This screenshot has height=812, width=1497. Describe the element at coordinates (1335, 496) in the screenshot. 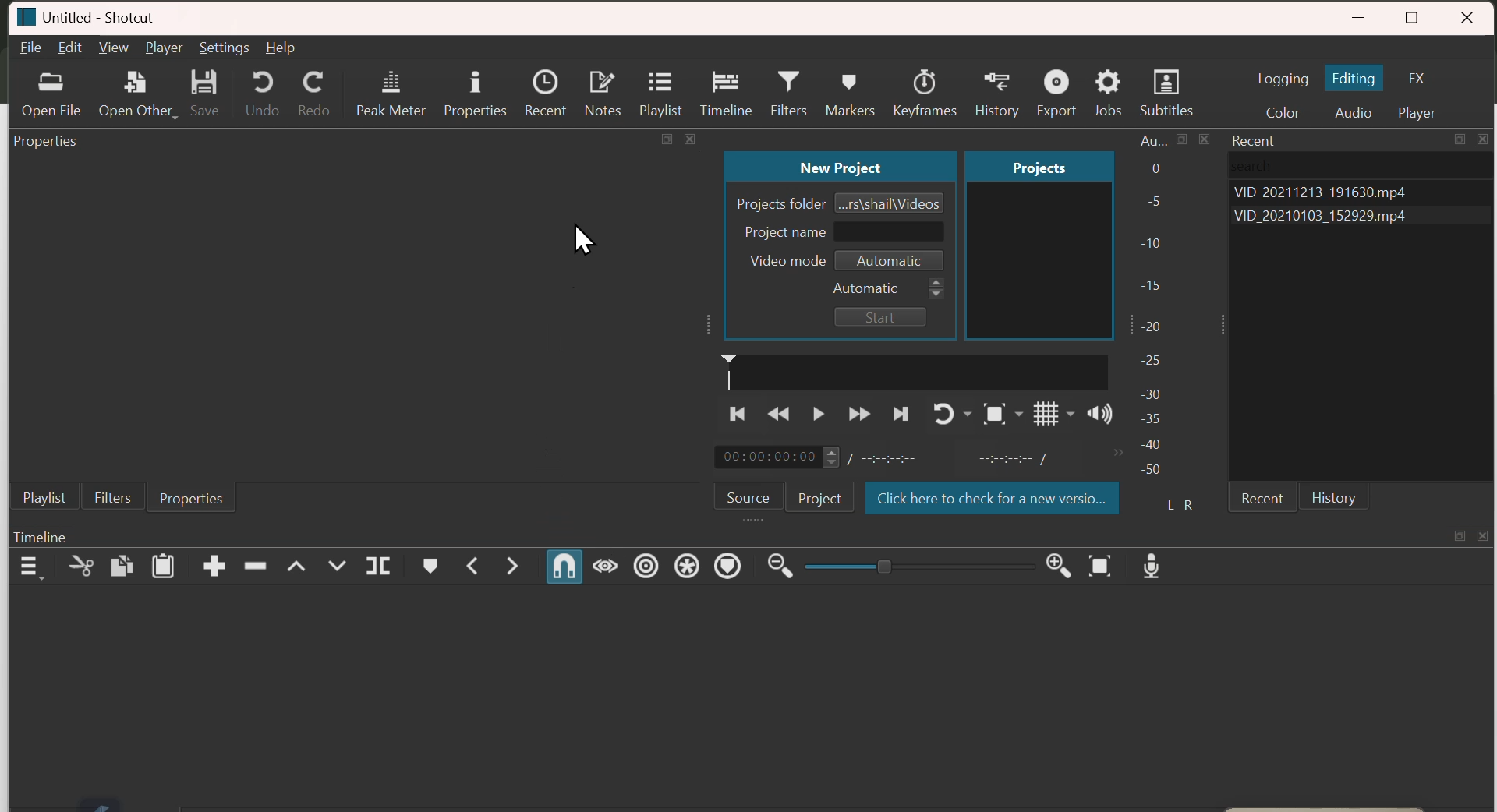

I see `History` at that location.